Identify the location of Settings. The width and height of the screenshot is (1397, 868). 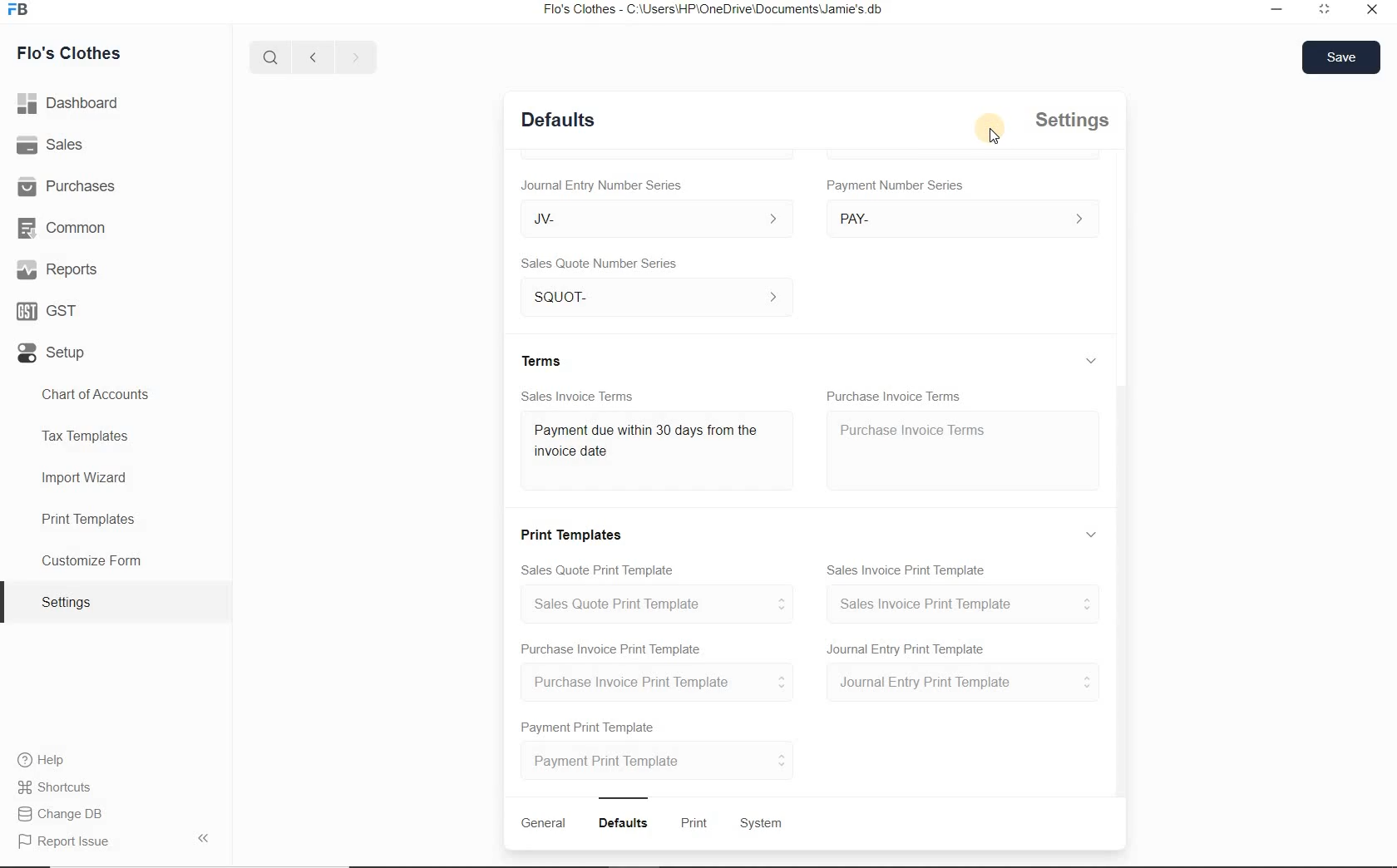
(1070, 120).